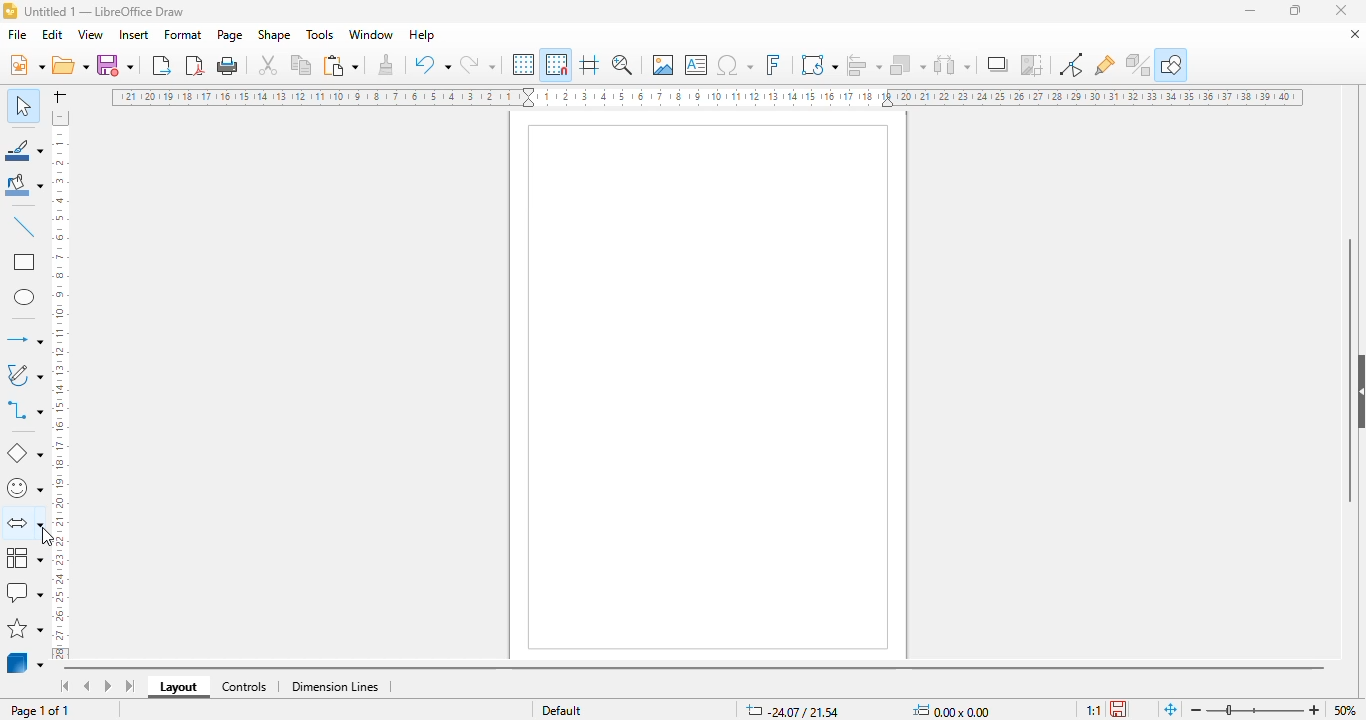 The width and height of the screenshot is (1366, 720). Describe the element at coordinates (562, 710) in the screenshot. I see `default` at that location.